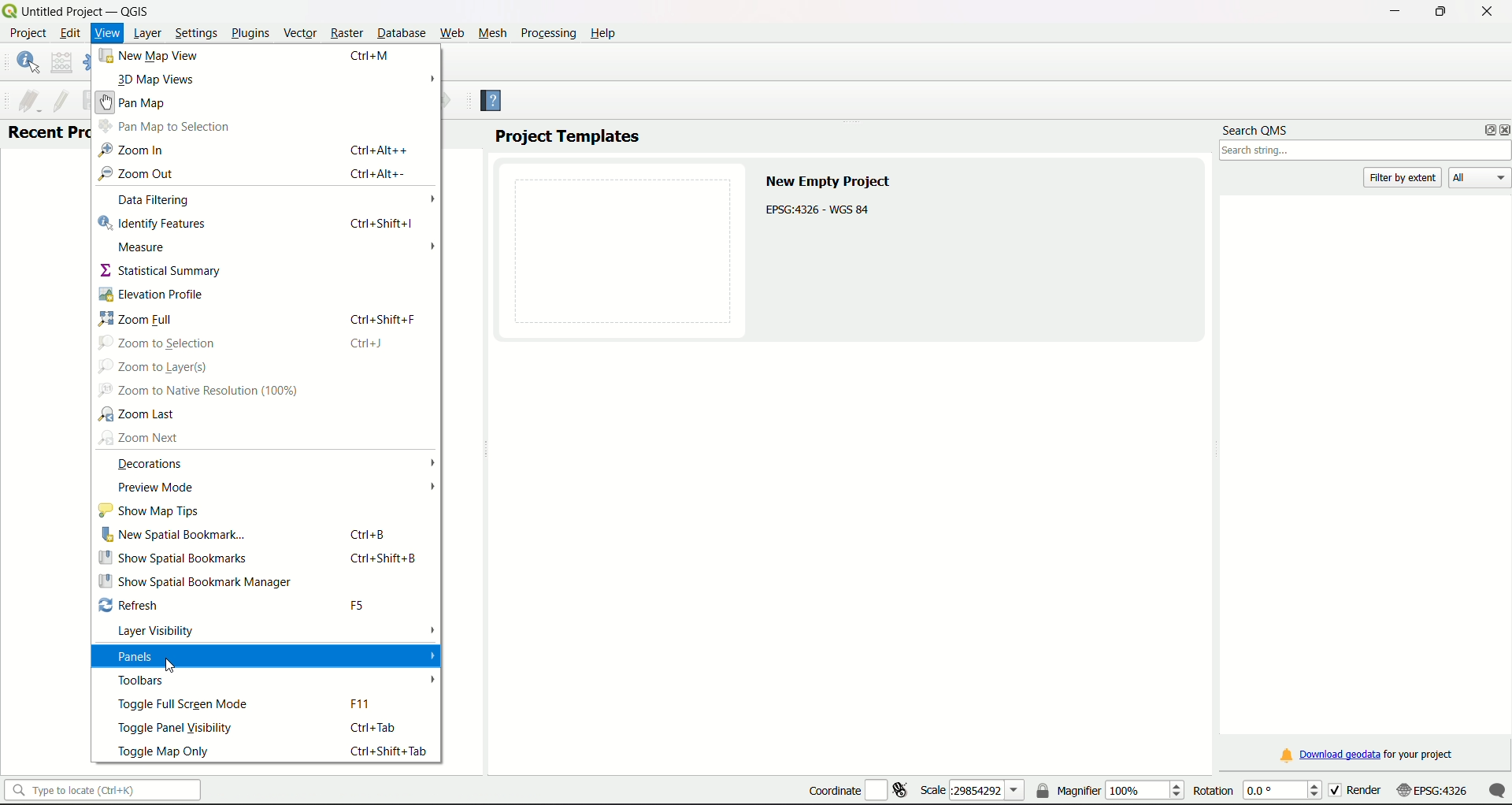  I want to click on zoom to selection, so click(157, 342).